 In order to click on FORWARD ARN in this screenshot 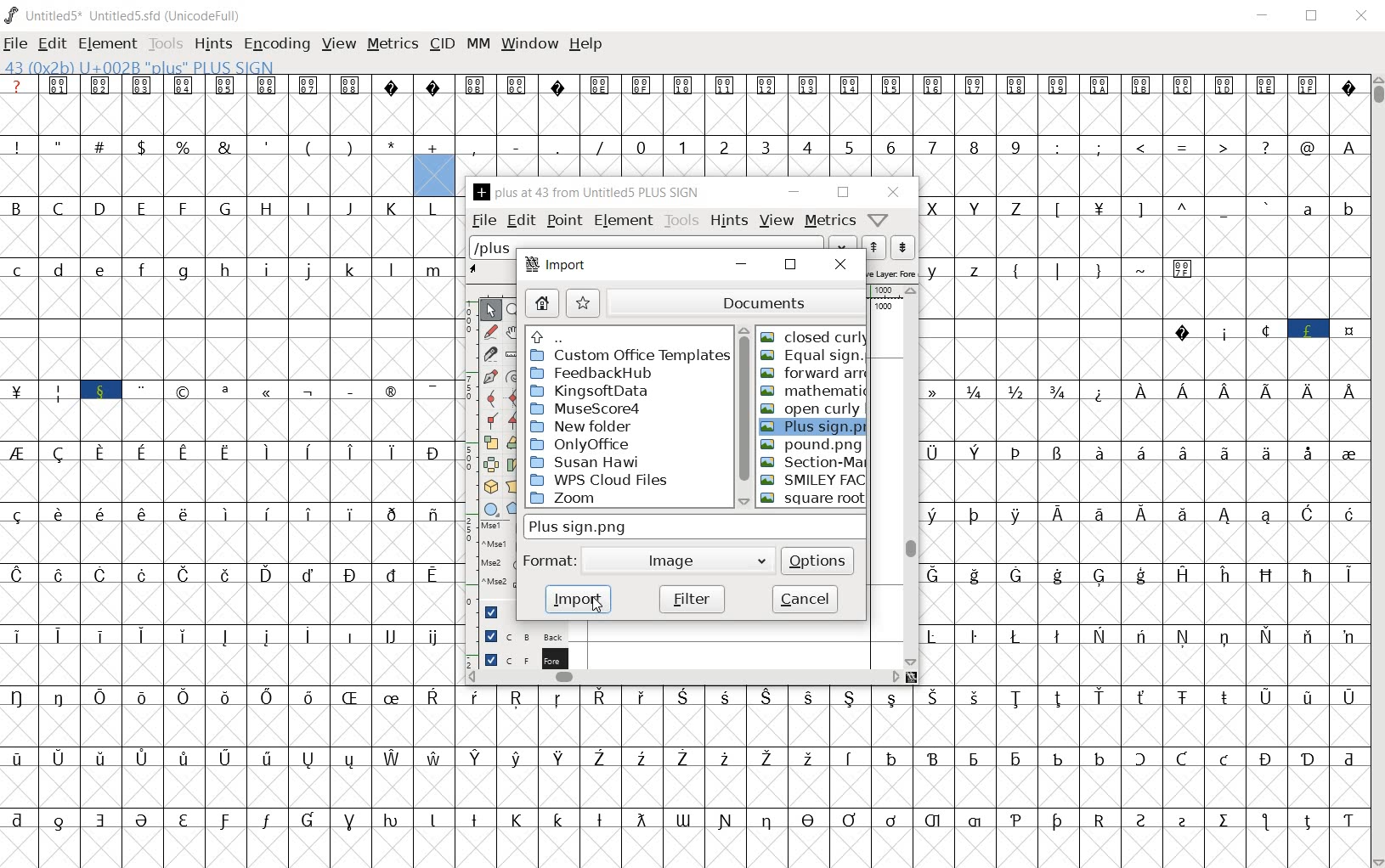, I will do `click(814, 372)`.